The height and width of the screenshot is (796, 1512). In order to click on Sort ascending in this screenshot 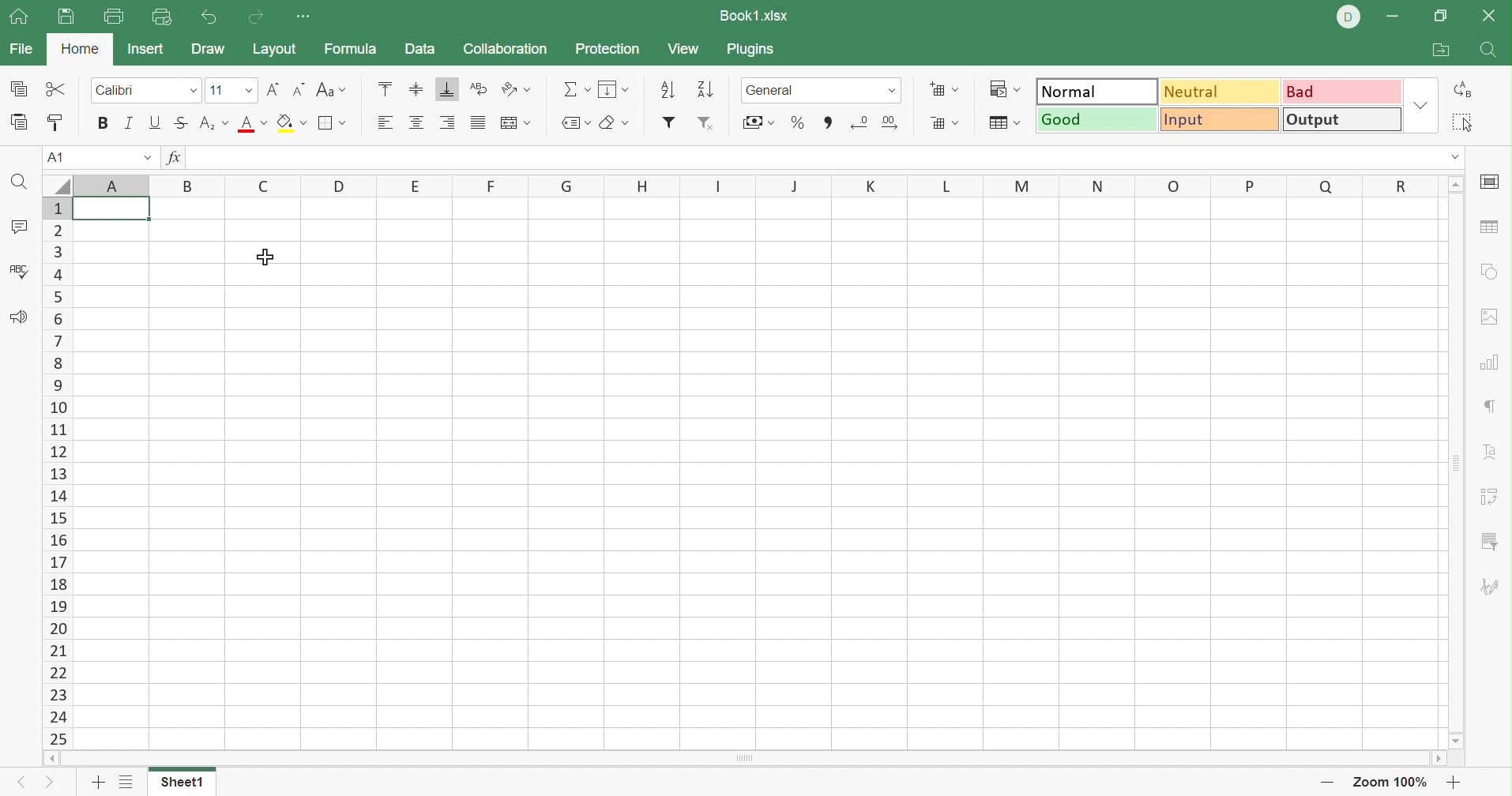, I will do `click(668, 88)`.